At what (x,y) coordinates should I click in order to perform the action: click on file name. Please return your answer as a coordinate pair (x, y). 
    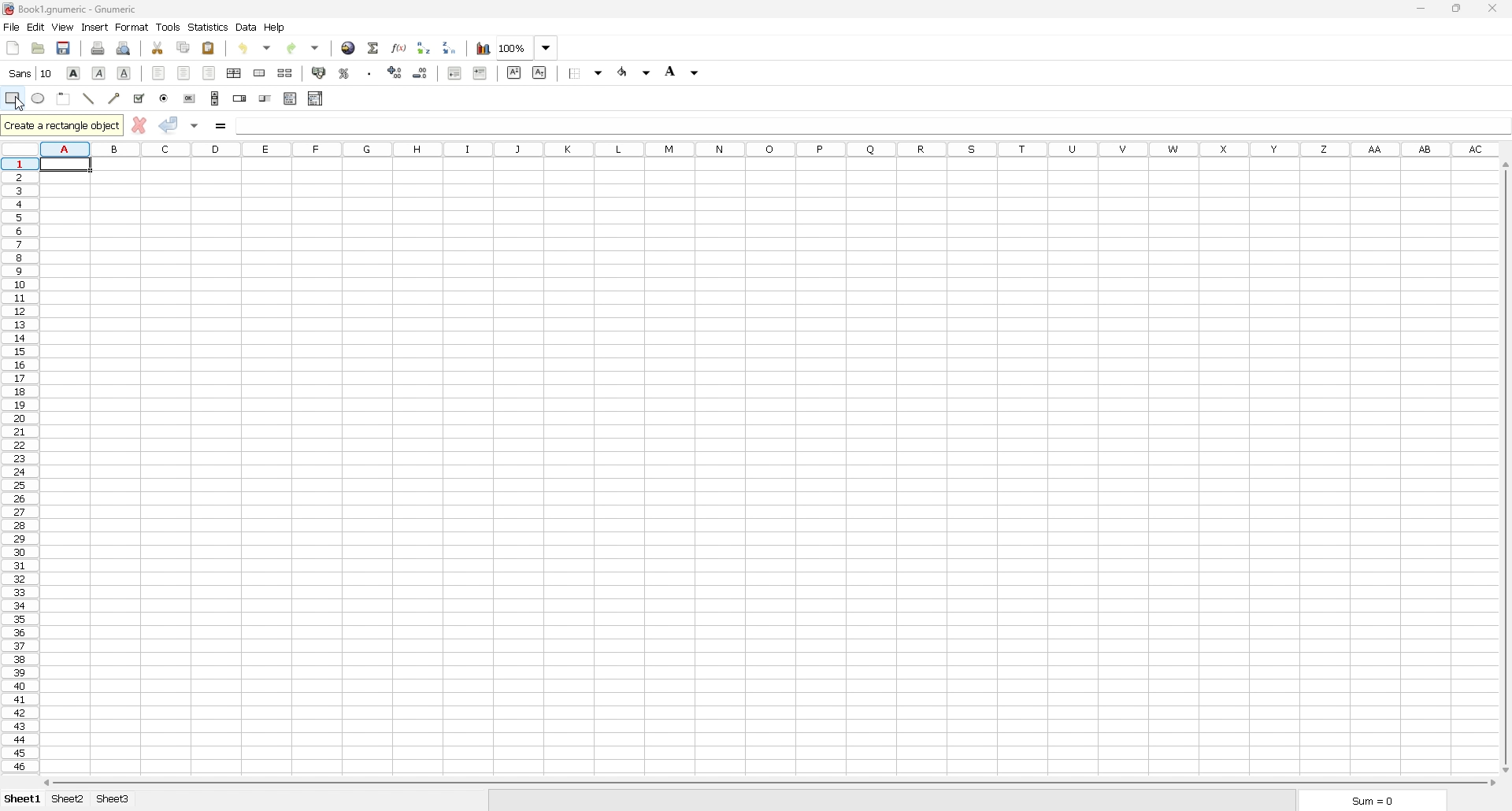
    Looking at the image, I should click on (69, 8).